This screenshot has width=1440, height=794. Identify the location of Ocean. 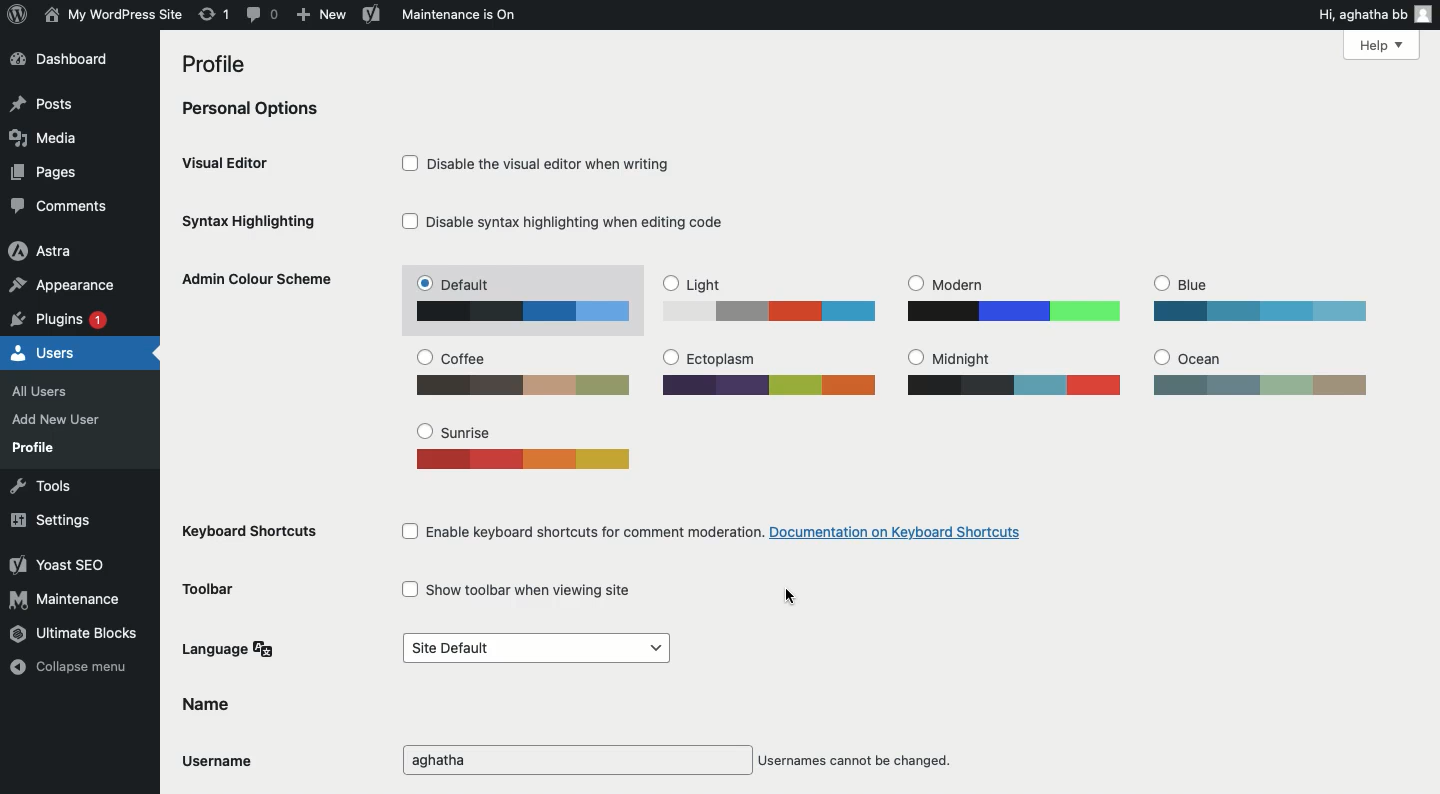
(1264, 373).